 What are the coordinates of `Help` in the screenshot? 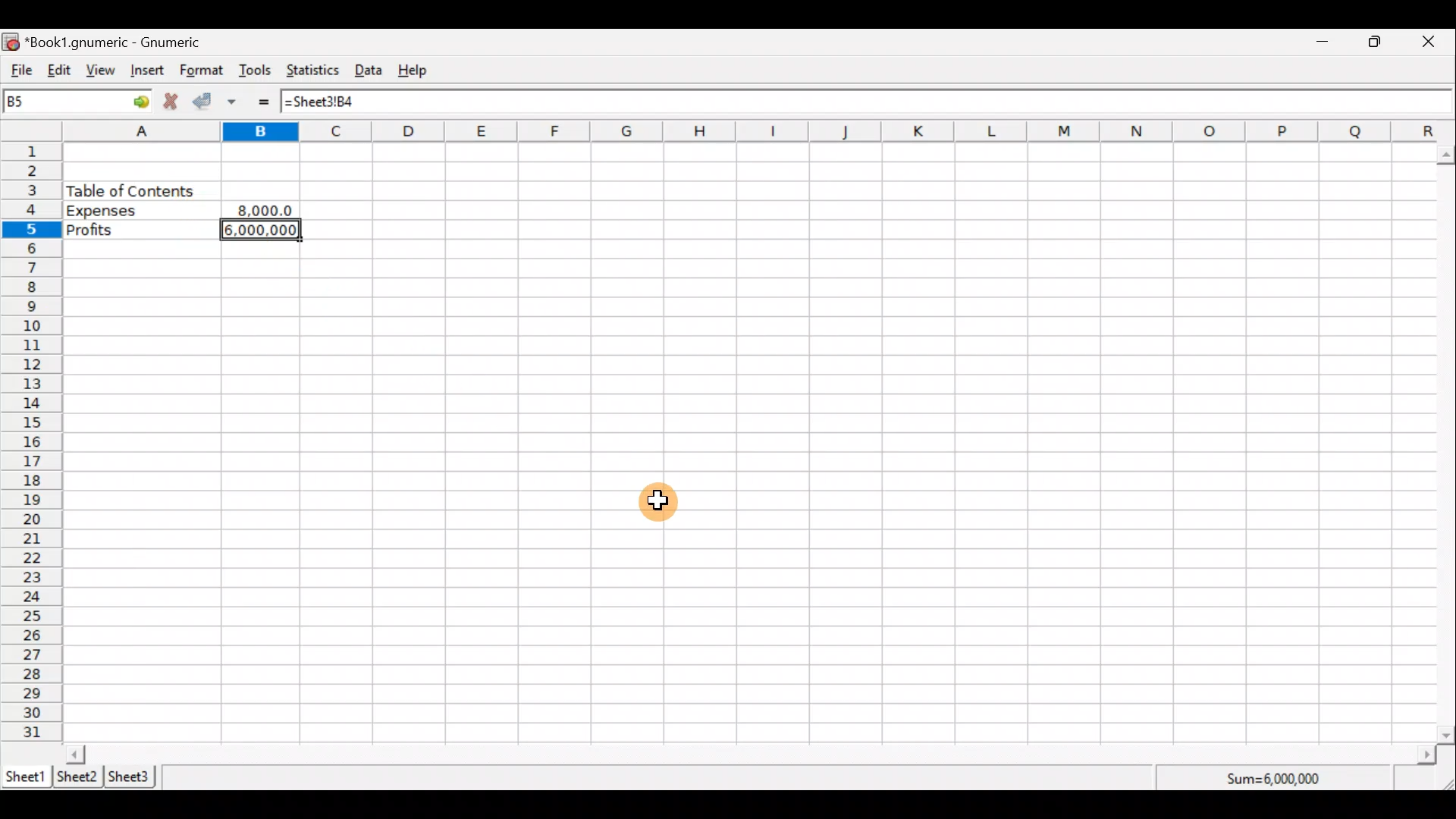 It's located at (420, 71).